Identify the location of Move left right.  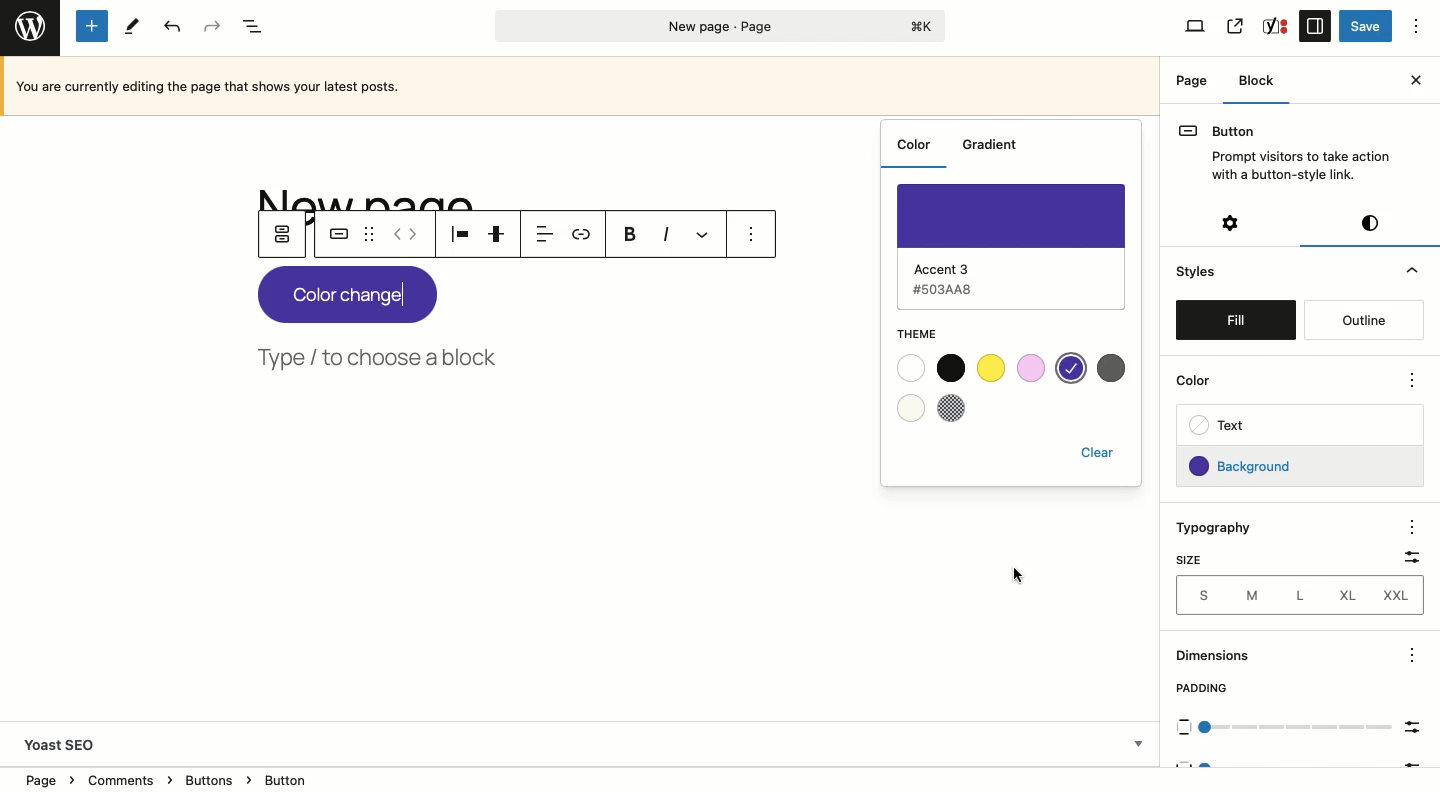
(405, 235).